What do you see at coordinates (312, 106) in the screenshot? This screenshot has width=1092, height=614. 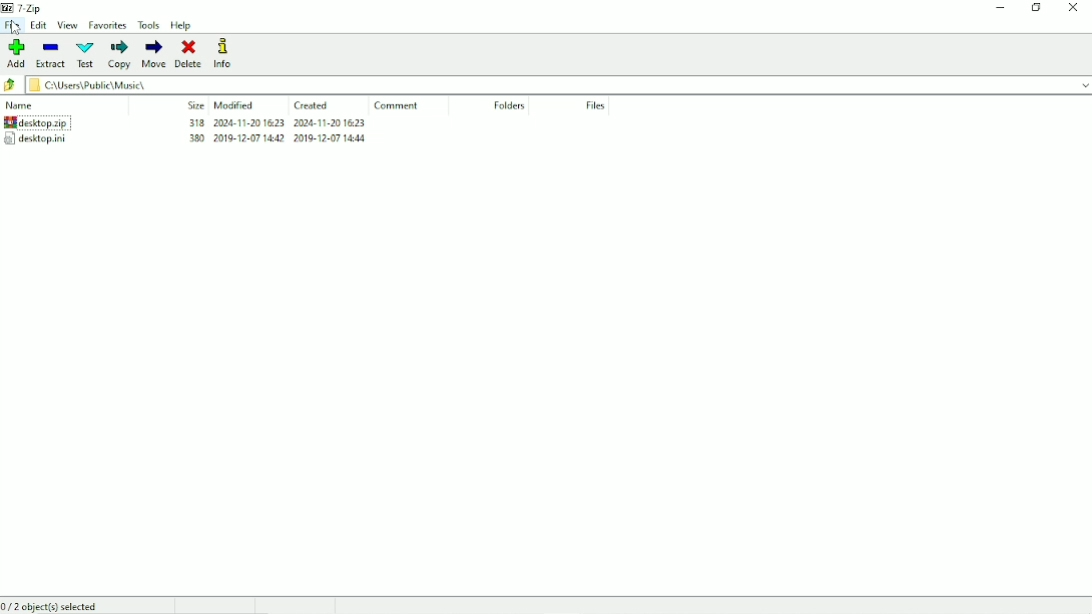 I see `Created` at bounding box center [312, 106].